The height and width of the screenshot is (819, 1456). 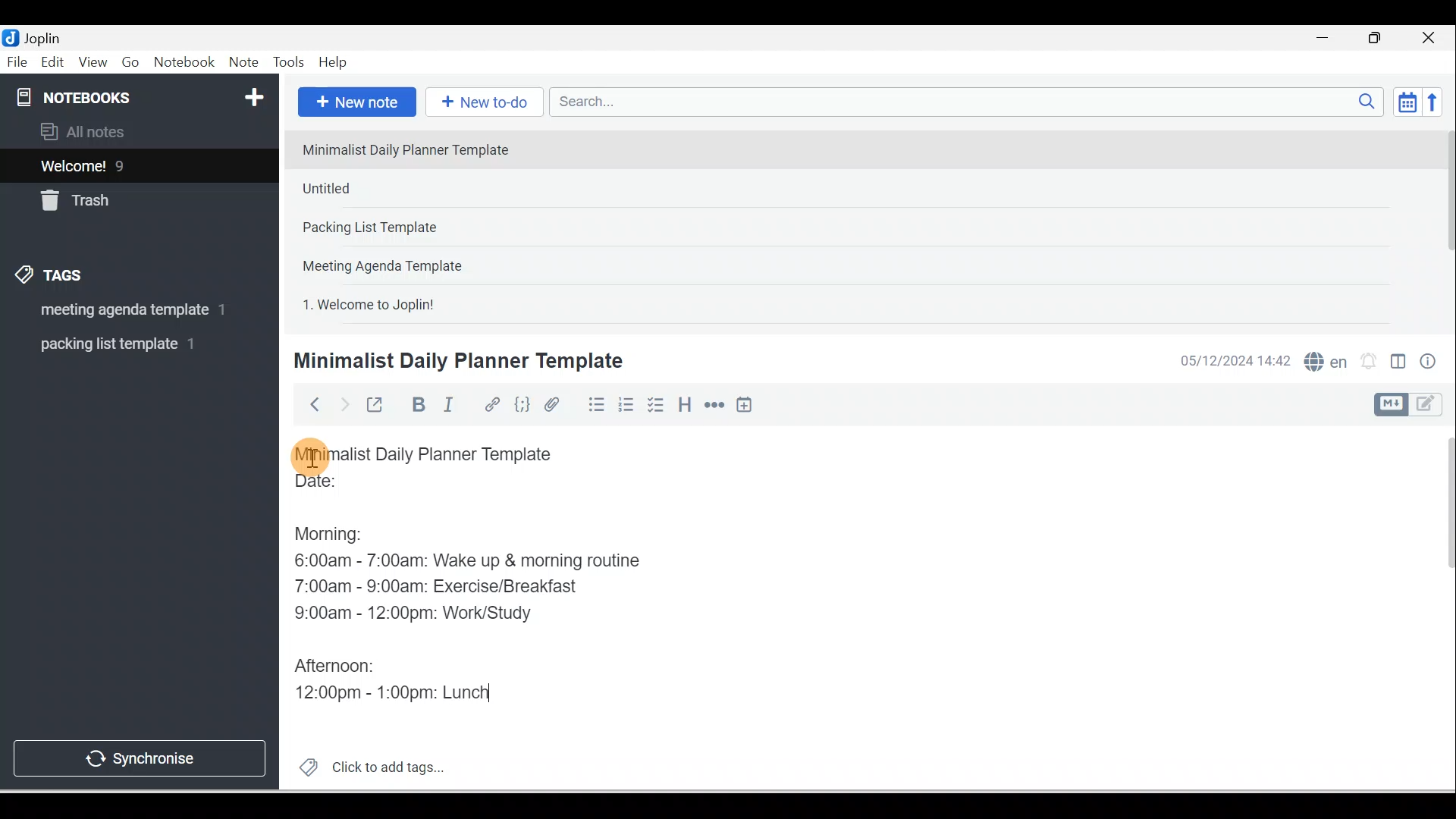 What do you see at coordinates (308, 404) in the screenshot?
I see `Back` at bounding box center [308, 404].